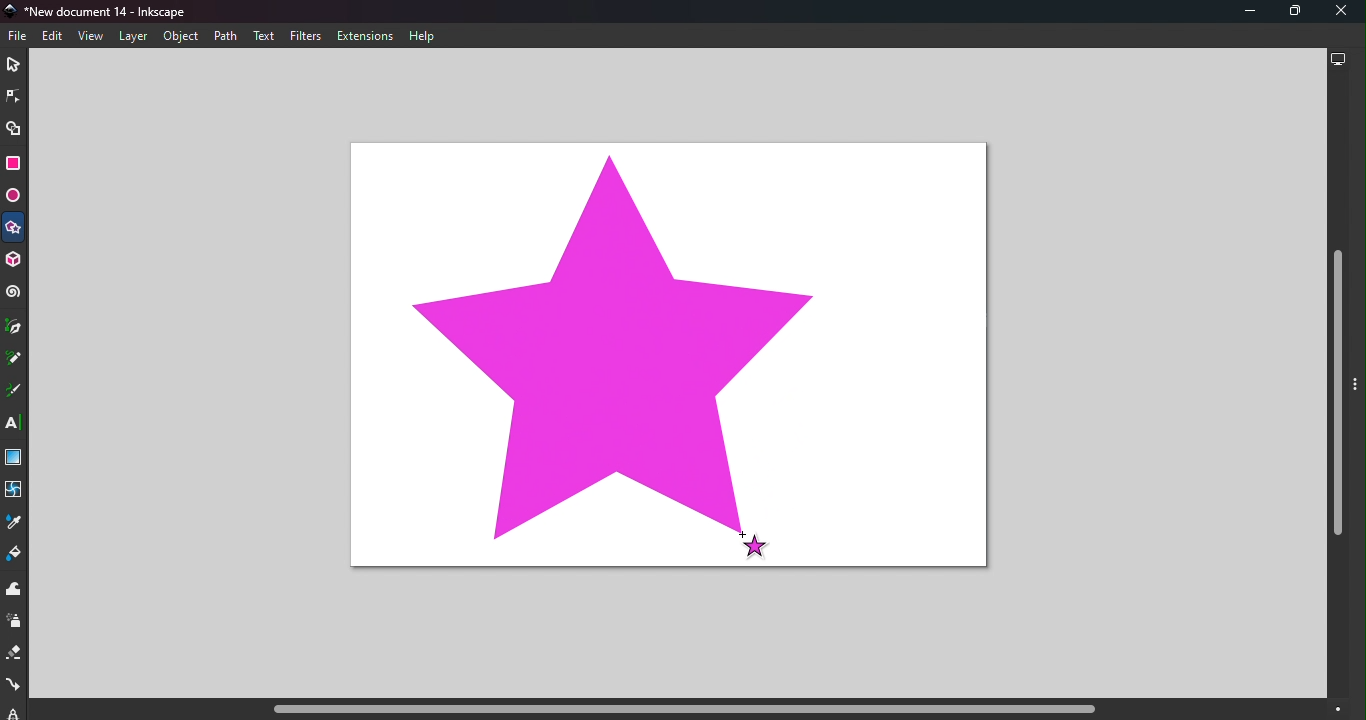 Image resolution: width=1366 pixels, height=720 pixels. I want to click on Extensions, so click(369, 36).